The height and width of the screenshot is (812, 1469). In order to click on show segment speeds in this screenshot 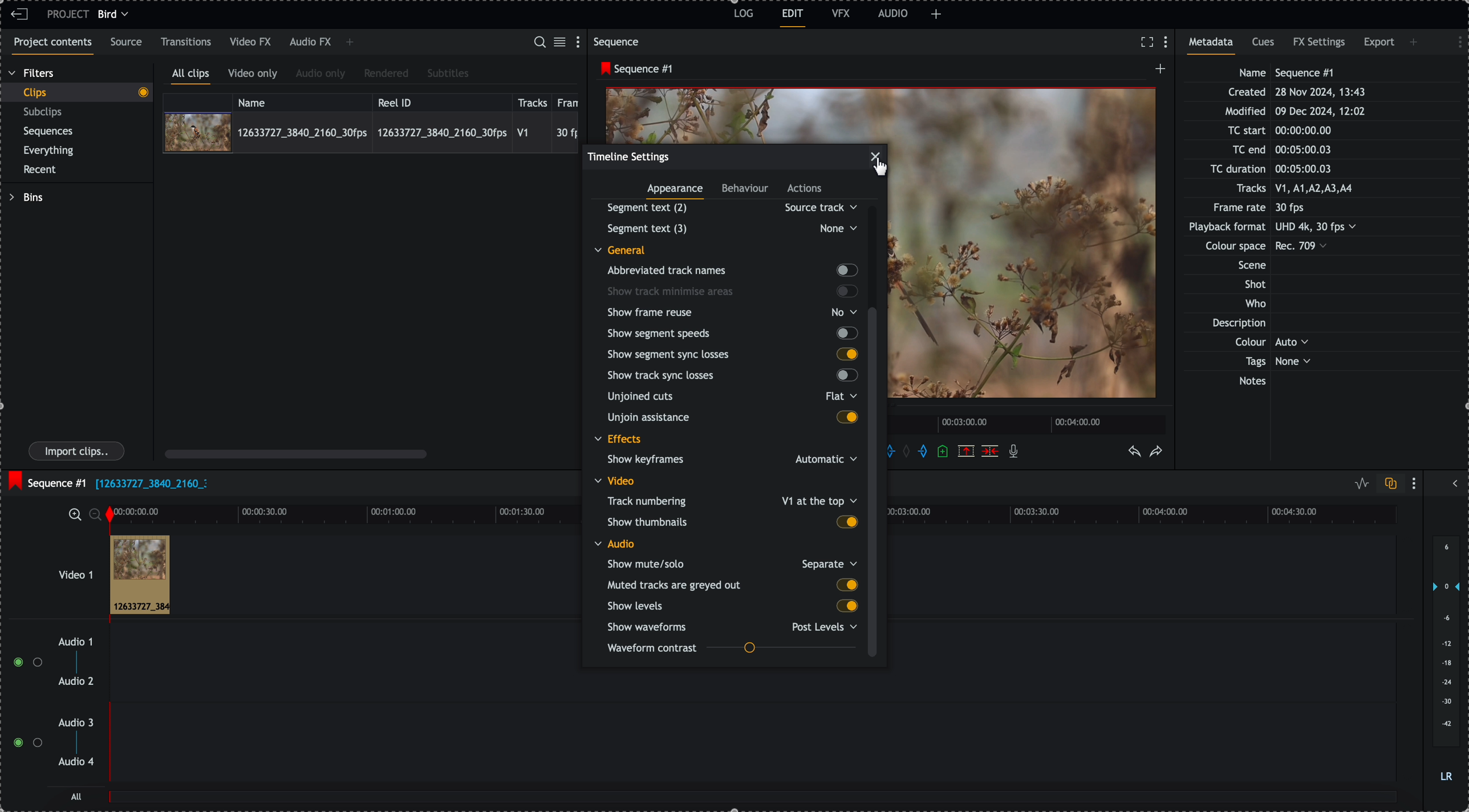, I will do `click(731, 333)`.